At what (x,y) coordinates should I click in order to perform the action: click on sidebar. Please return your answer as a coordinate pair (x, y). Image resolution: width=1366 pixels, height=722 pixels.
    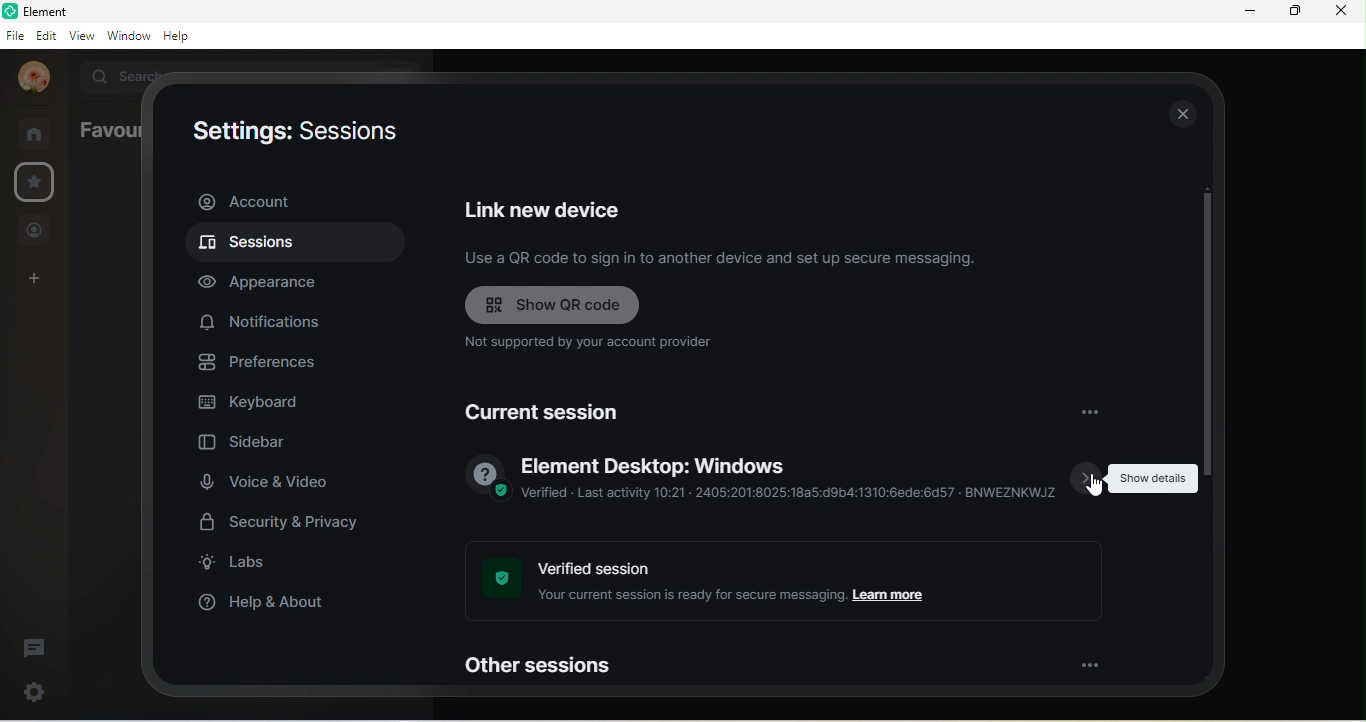
    Looking at the image, I should click on (248, 445).